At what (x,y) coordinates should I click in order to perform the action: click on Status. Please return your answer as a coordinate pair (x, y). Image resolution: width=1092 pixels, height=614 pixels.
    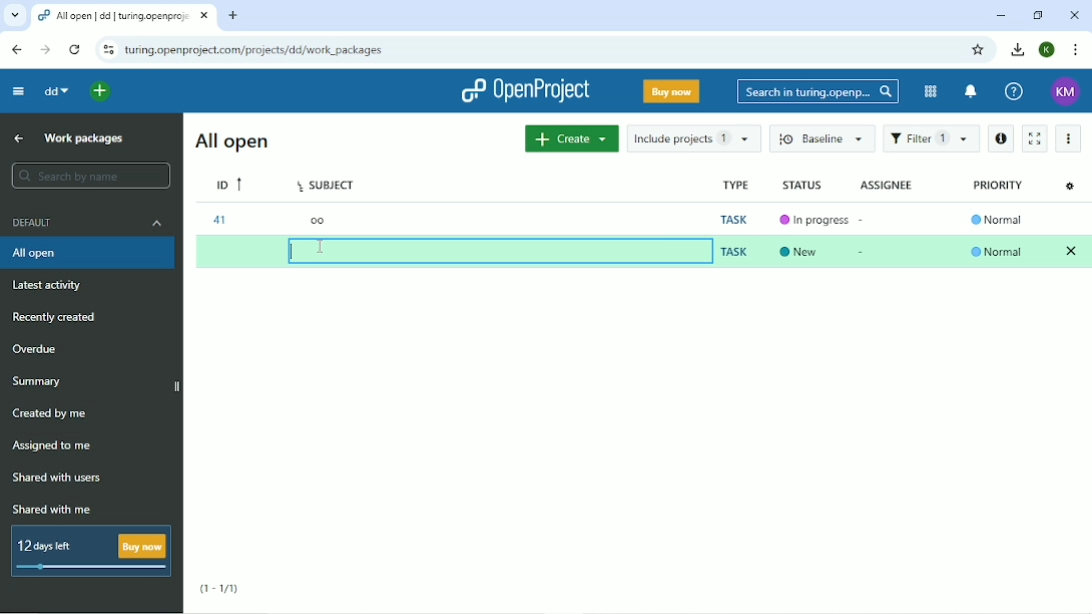
    Looking at the image, I should click on (801, 186).